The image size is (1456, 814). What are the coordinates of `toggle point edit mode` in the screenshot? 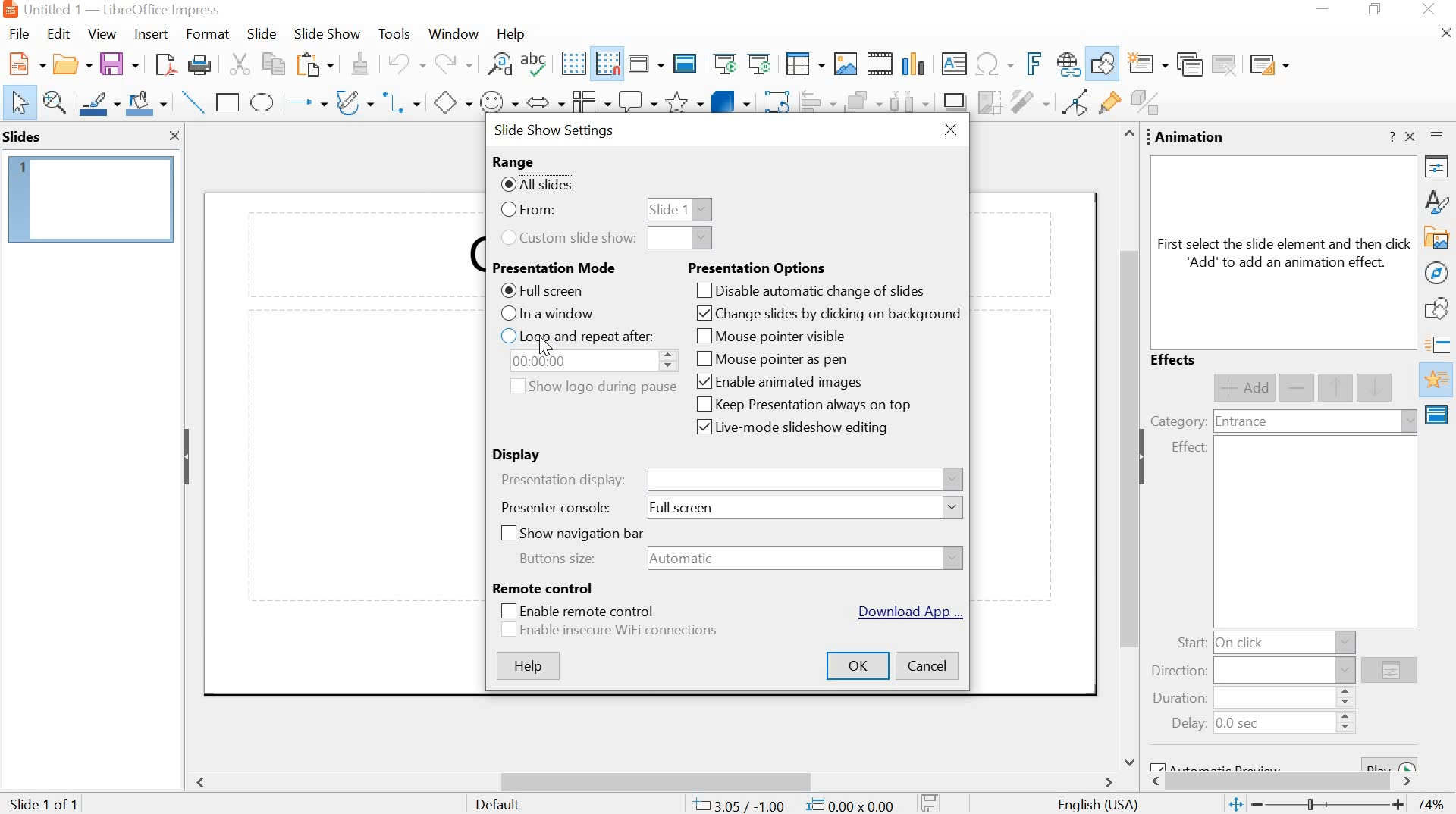 It's located at (1072, 105).